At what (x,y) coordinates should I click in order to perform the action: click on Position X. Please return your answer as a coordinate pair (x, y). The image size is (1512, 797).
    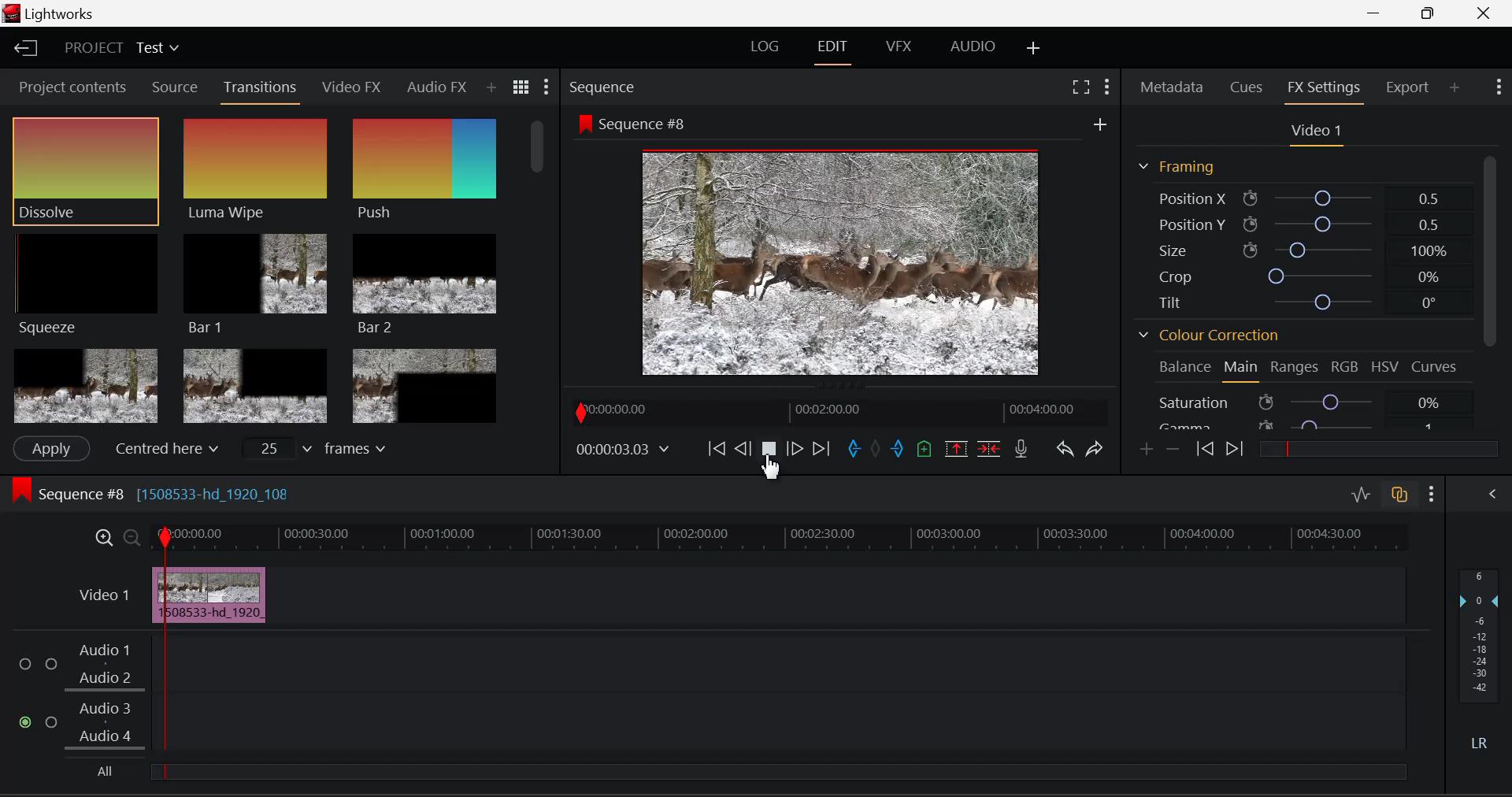
    Looking at the image, I should click on (1296, 196).